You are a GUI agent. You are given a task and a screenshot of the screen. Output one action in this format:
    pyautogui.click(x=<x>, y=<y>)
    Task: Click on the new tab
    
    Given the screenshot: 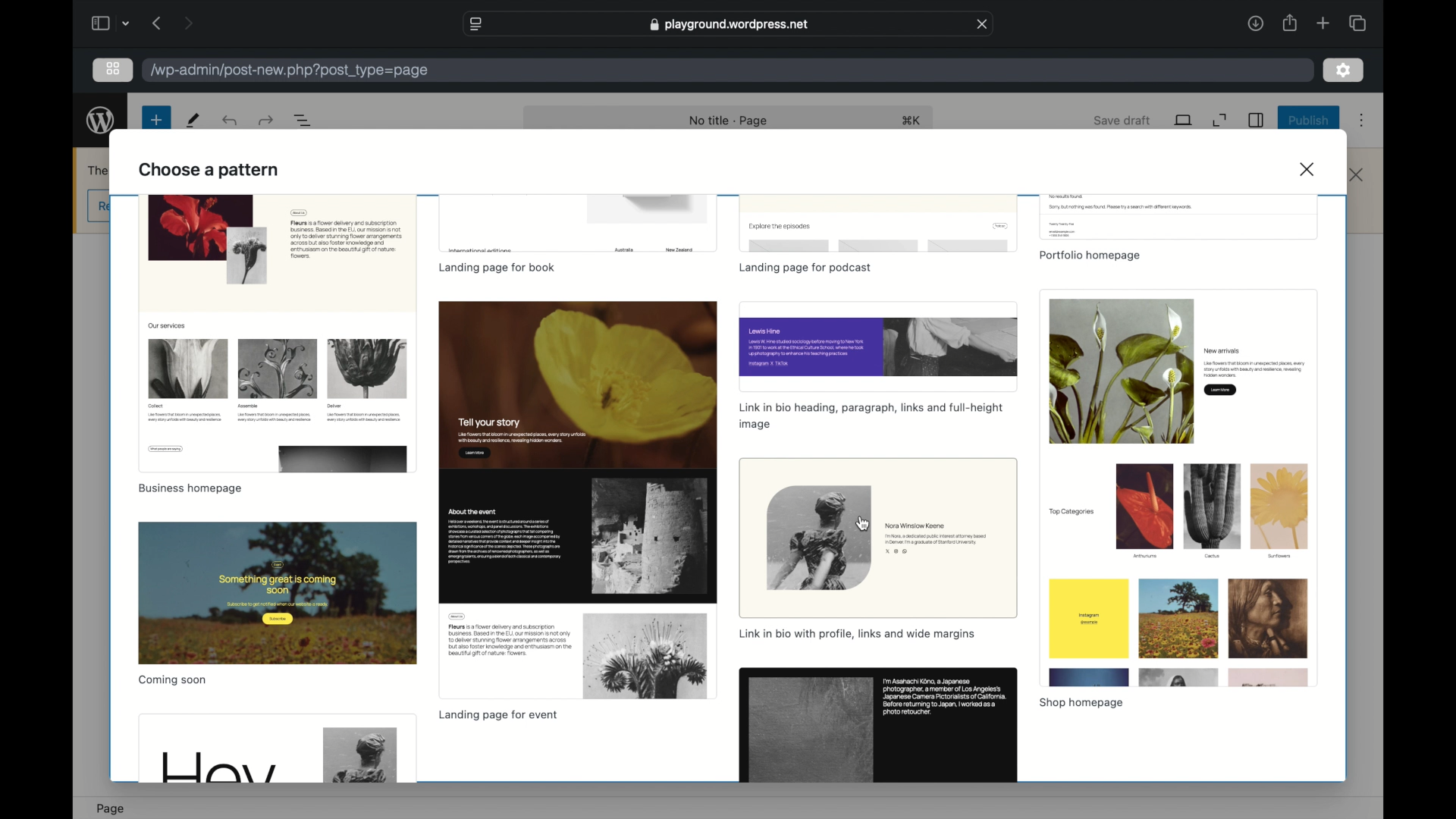 What is the action you would take?
    pyautogui.click(x=1323, y=23)
    